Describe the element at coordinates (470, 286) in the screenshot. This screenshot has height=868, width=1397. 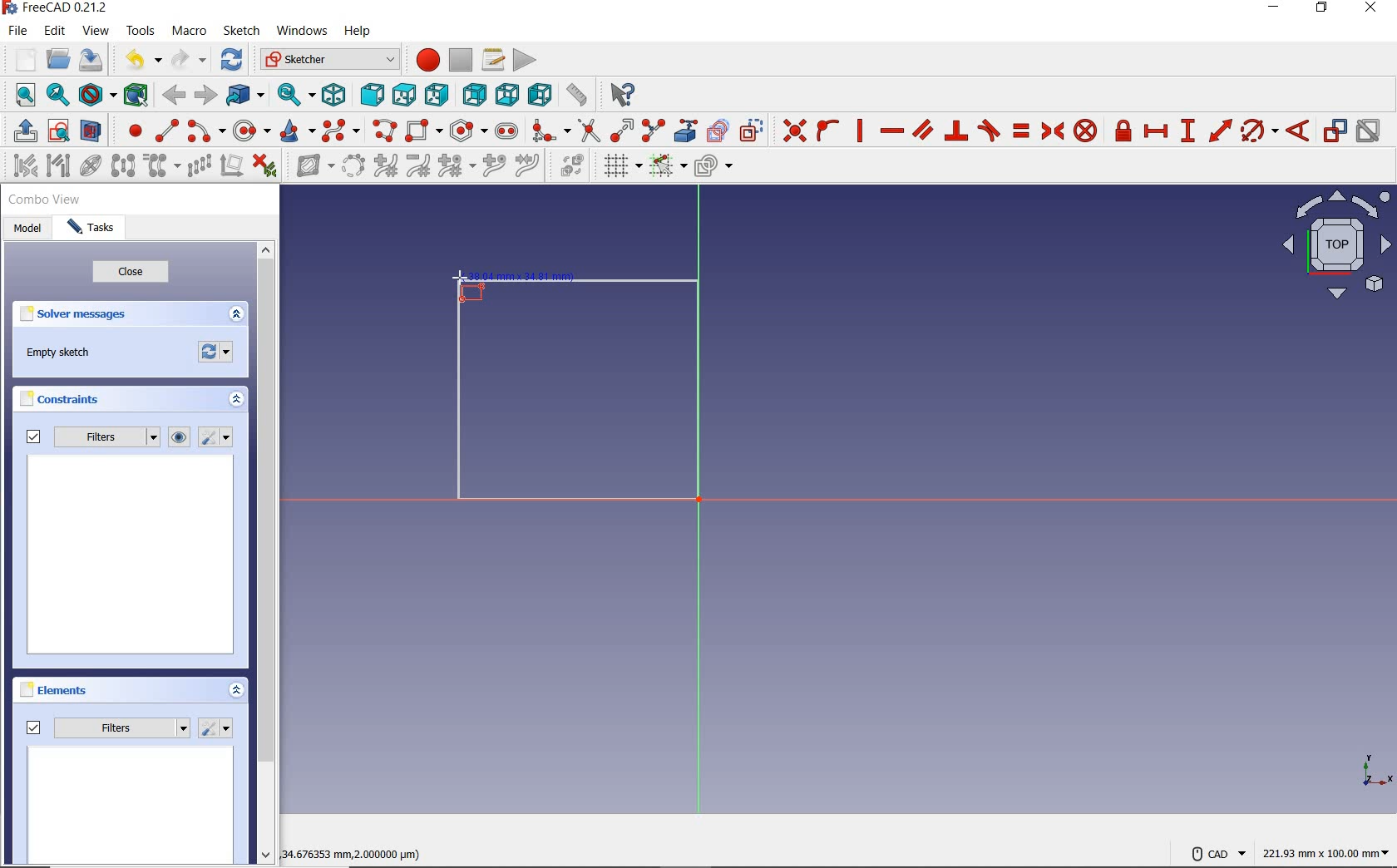
I see `rectangle tool at point y rising` at that location.